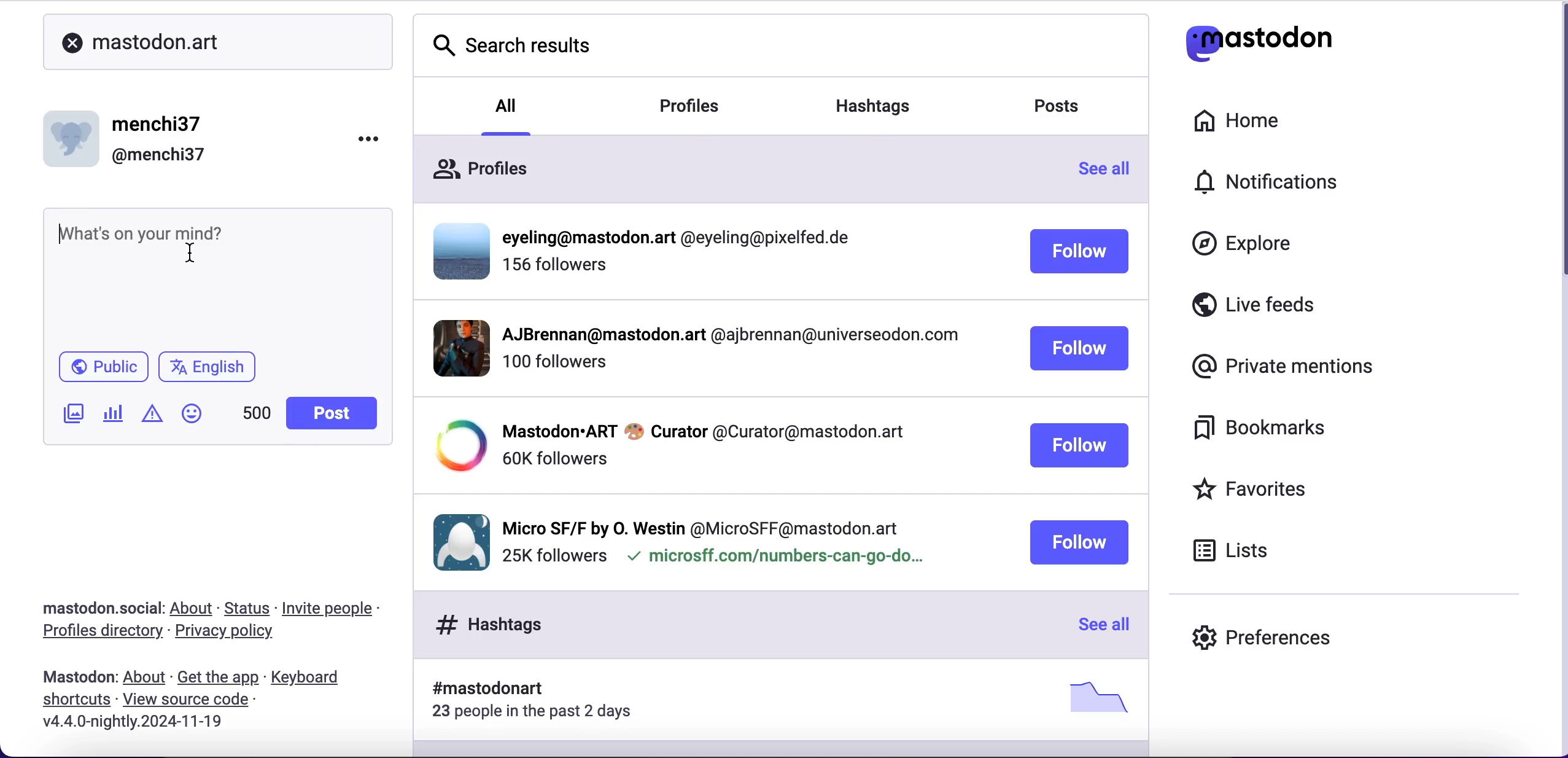 This screenshot has width=1568, height=758. Describe the element at coordinates (335, 609) in the screenshot. I see `invite people` at that location.